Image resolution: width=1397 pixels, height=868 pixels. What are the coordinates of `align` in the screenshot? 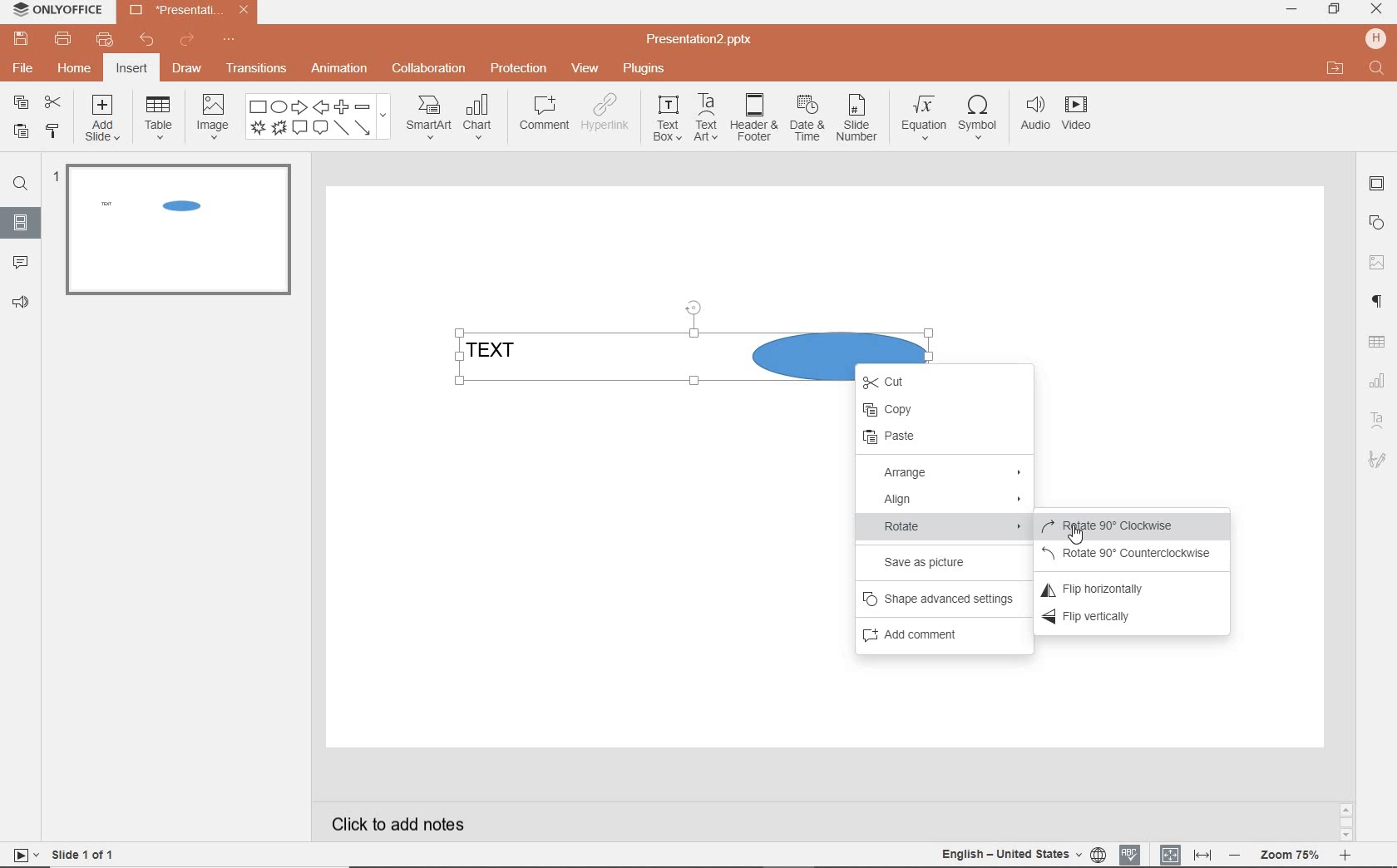 It's located at (946, 501).